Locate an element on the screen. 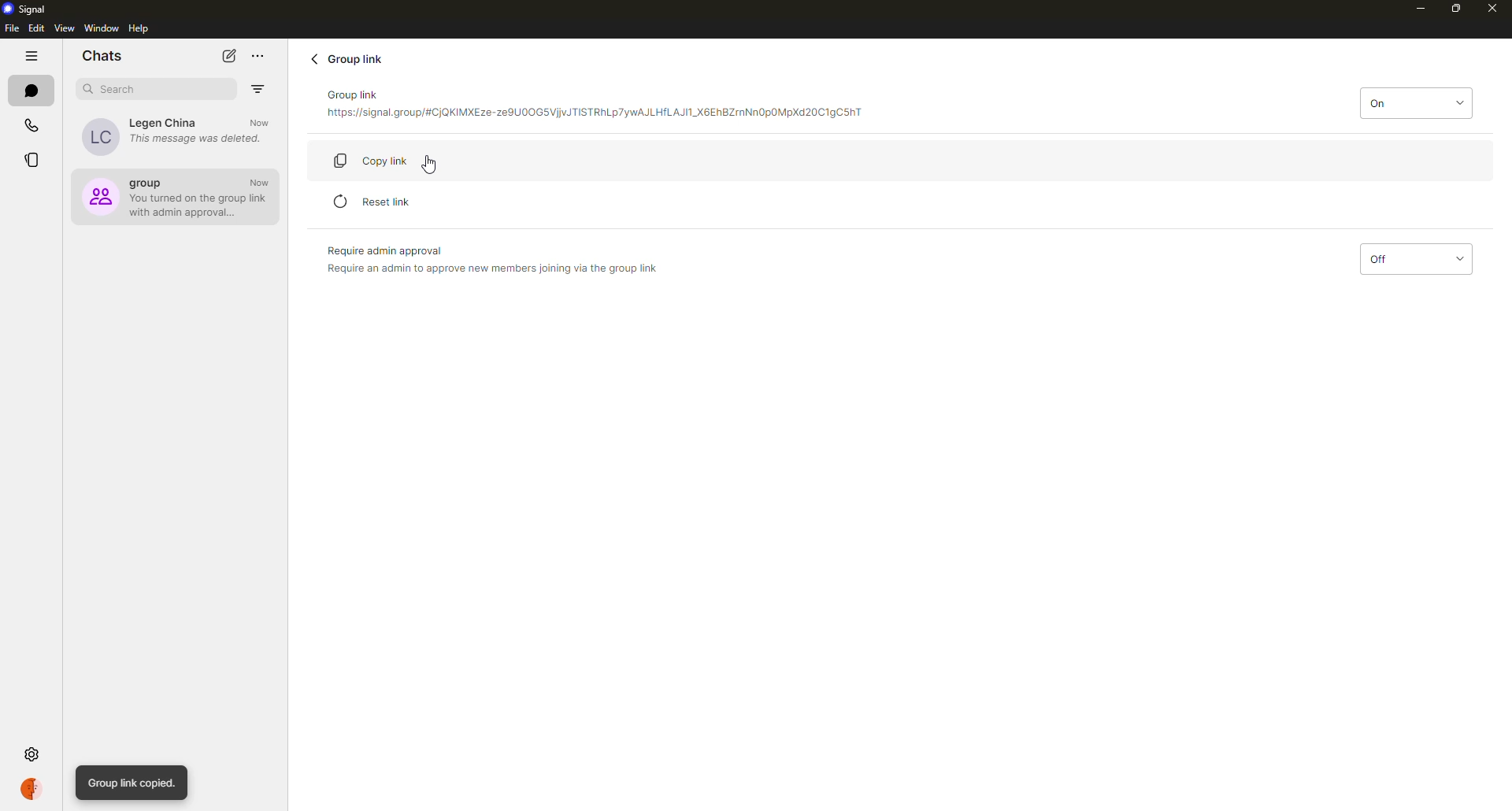 The image size is (1512, 811). close is located at coordinates (1493, 9).